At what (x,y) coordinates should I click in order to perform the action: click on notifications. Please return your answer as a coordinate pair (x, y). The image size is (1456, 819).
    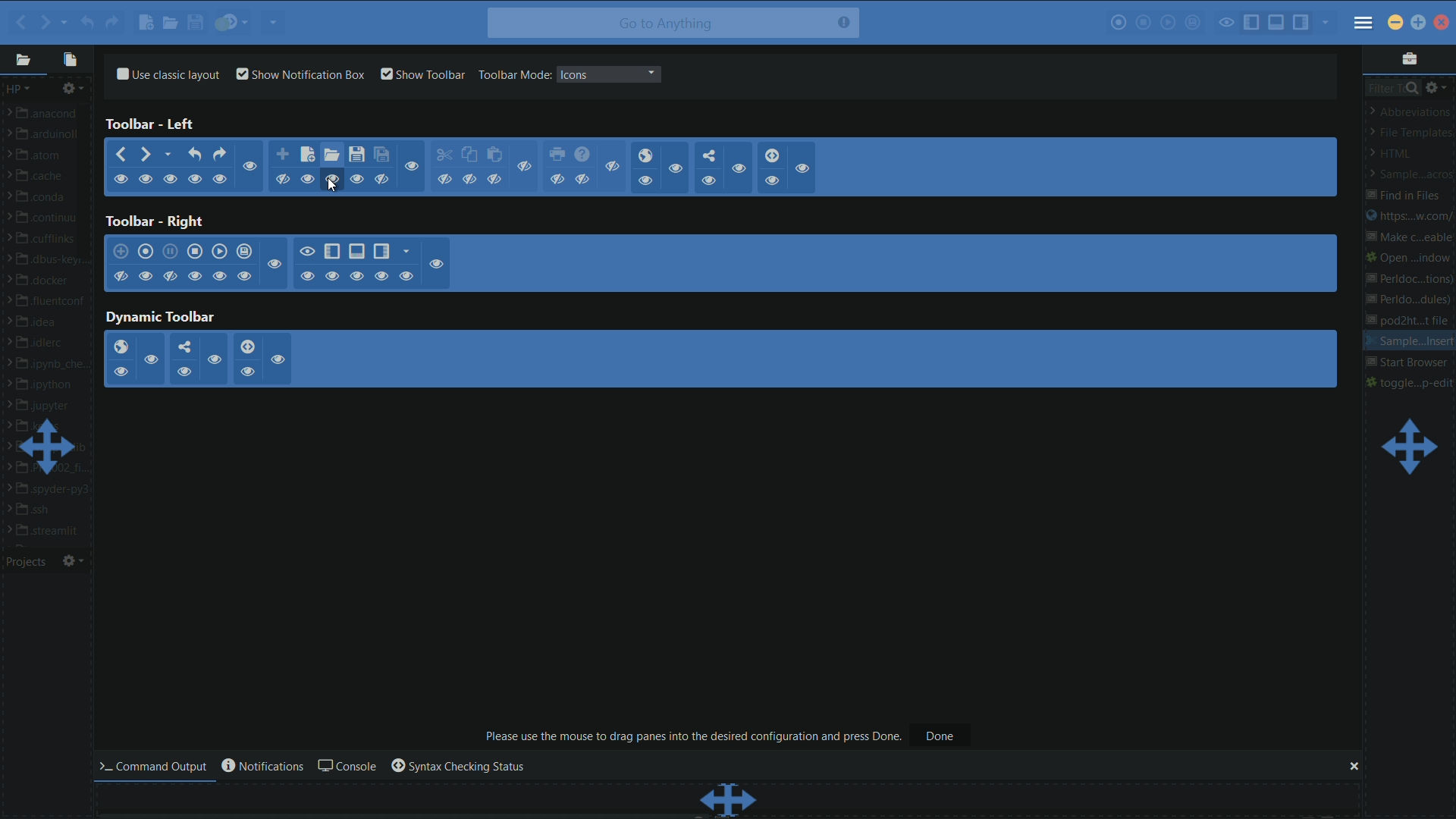
    Looking at the image, I should click on (261, 766).